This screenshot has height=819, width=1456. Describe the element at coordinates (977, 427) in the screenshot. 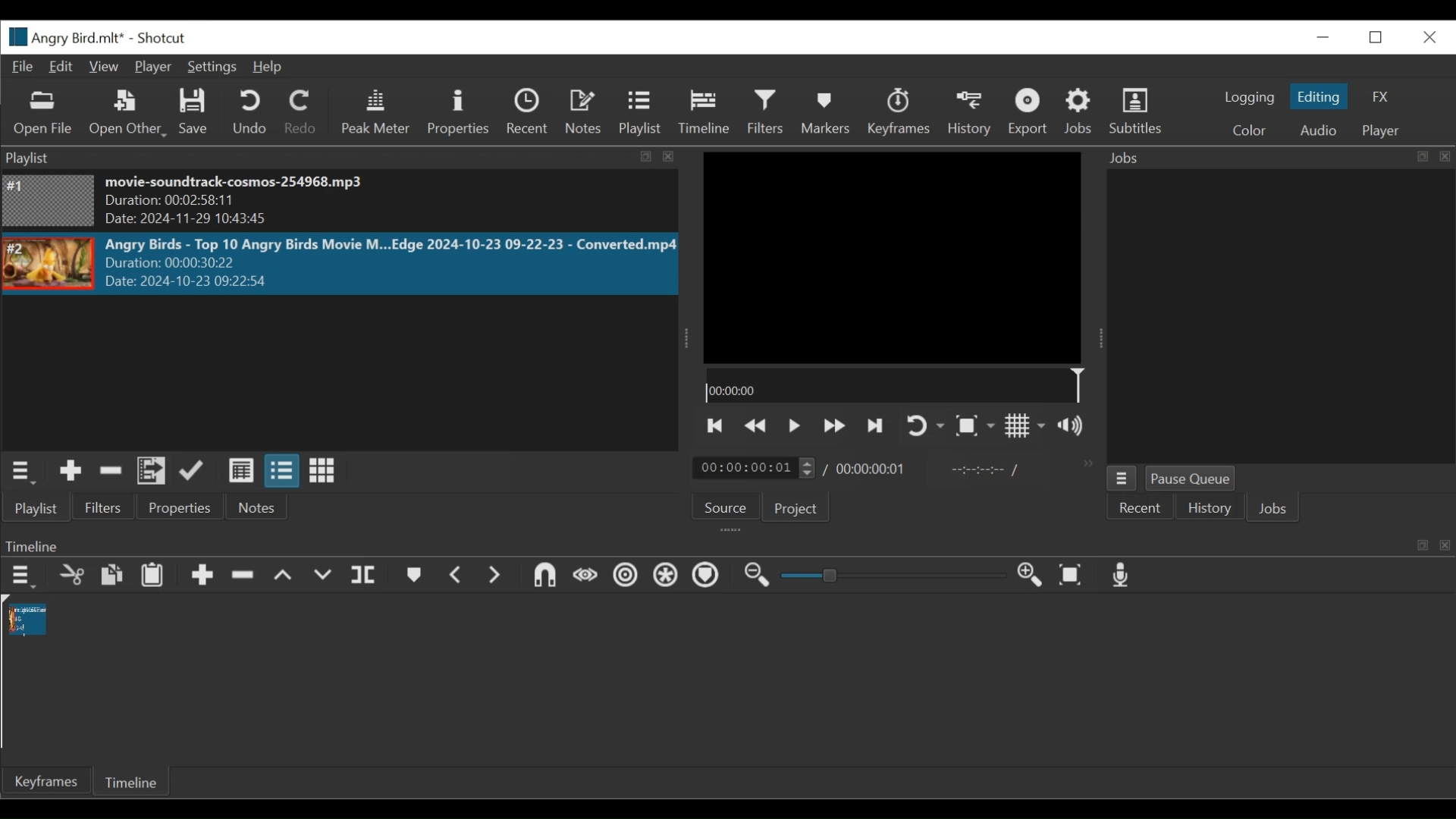

I see `Toggle Zoom` at that location.